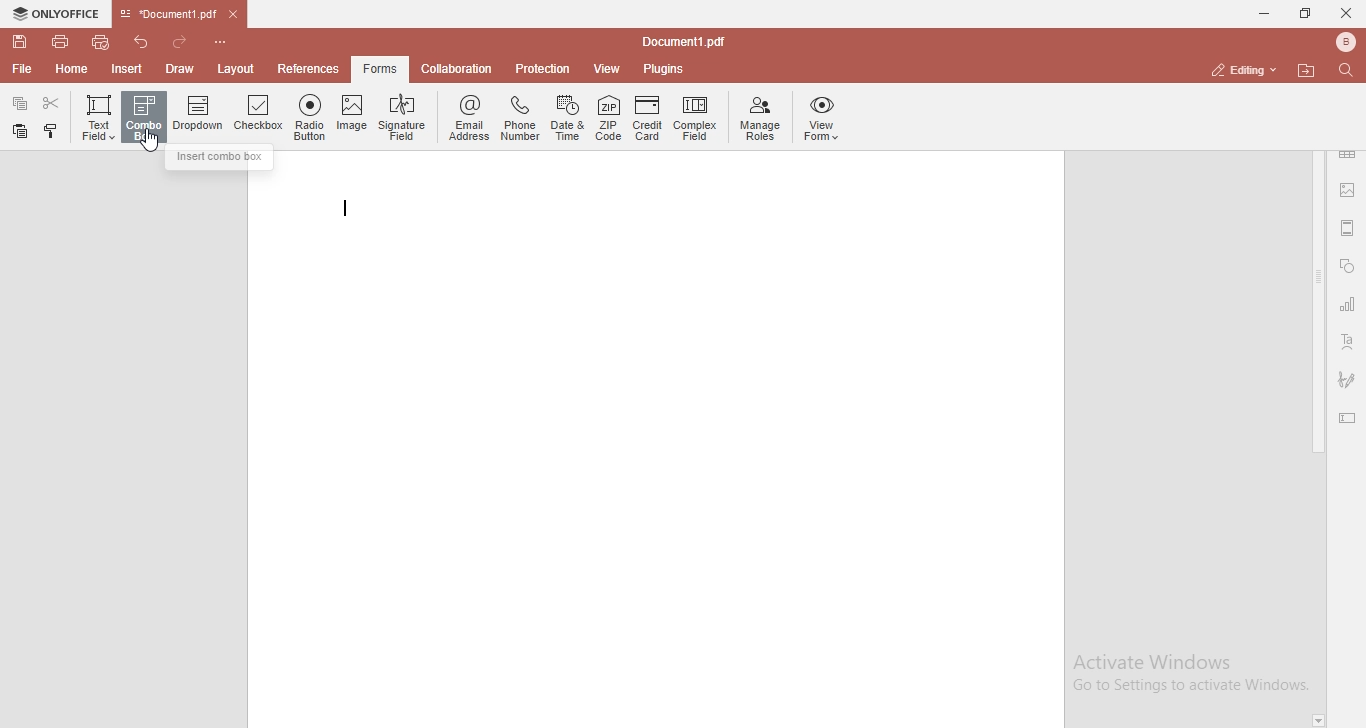 The image size is (1366, 728). What do you see at coordinates (1348, 226) in the screenshot?
I see `margin` at bounding box center [1348, 226].